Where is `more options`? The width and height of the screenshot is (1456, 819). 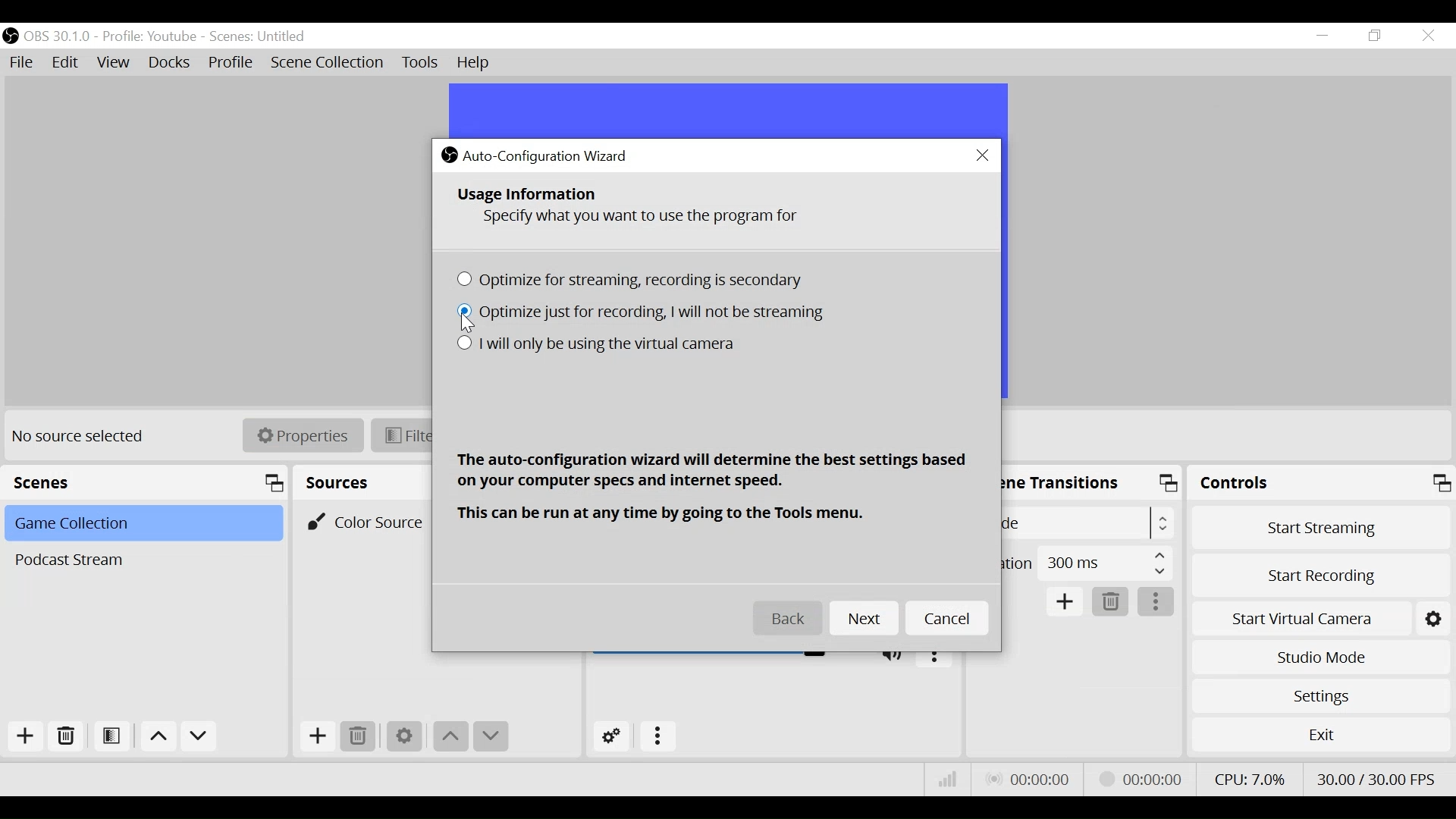 more options is located at coordinates (1156, 602).